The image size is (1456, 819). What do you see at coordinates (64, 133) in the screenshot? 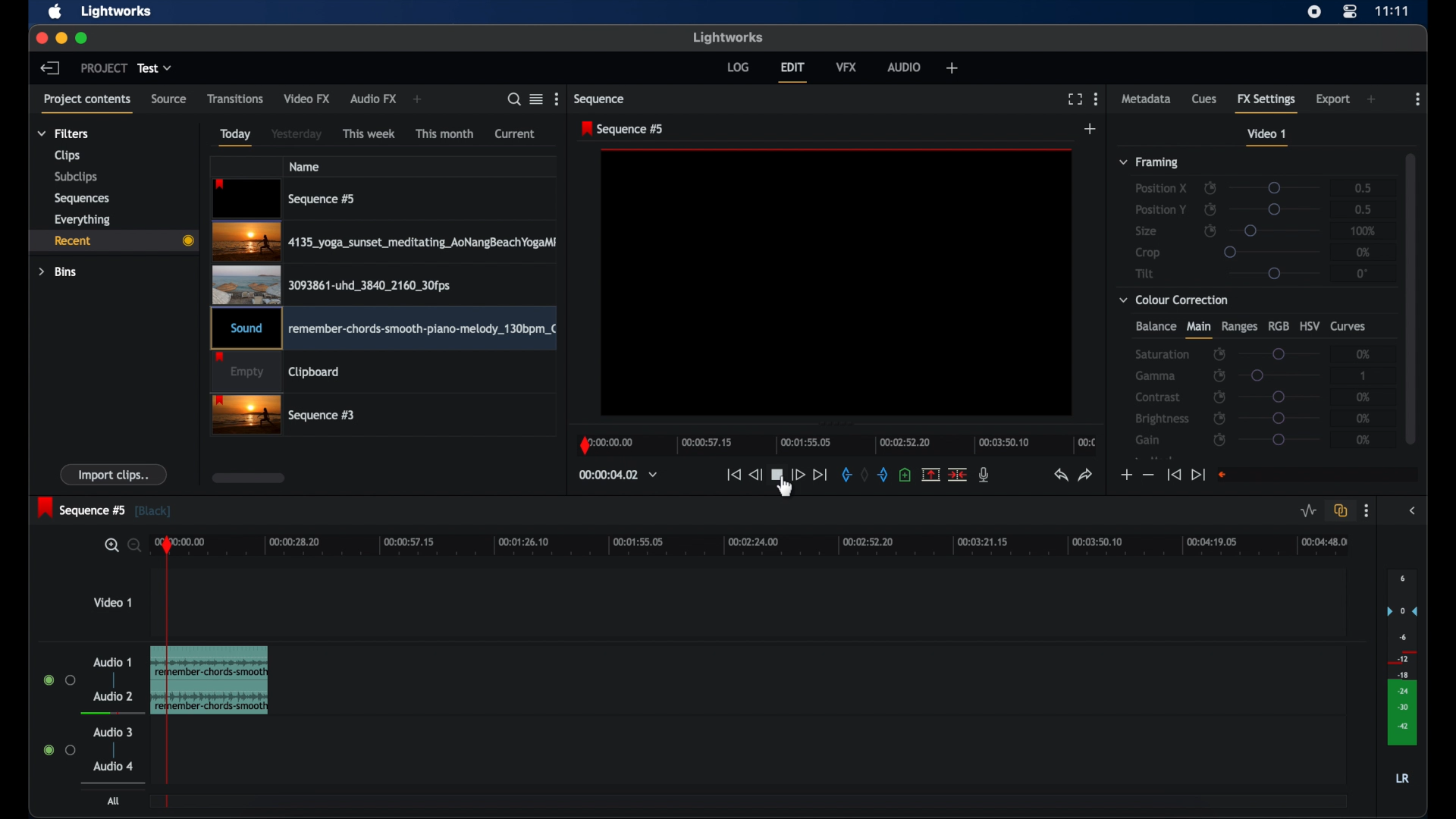
I see `filters` at bounding box center [64, 133].